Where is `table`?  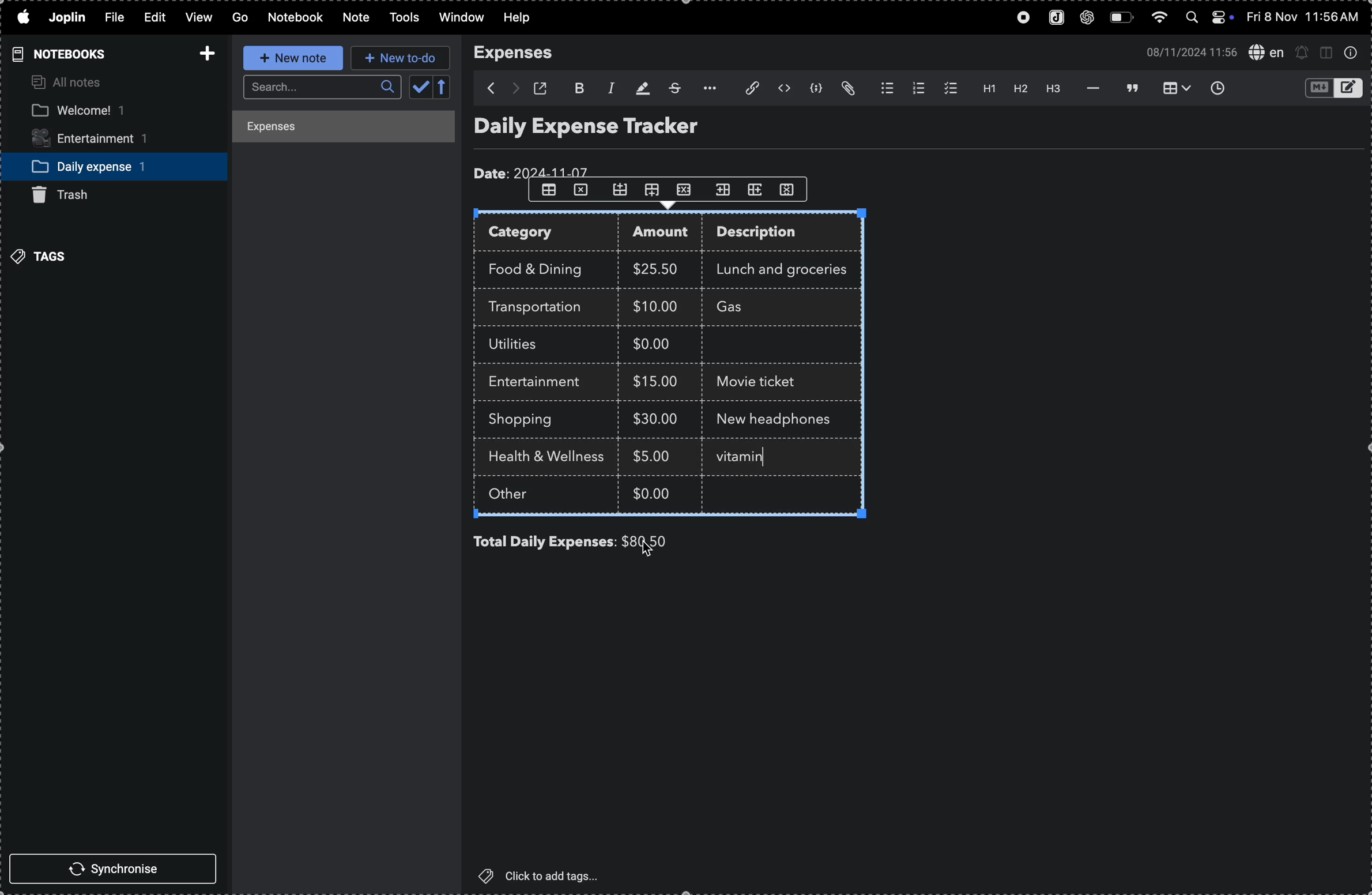 table is located at coordinates (548, 190).